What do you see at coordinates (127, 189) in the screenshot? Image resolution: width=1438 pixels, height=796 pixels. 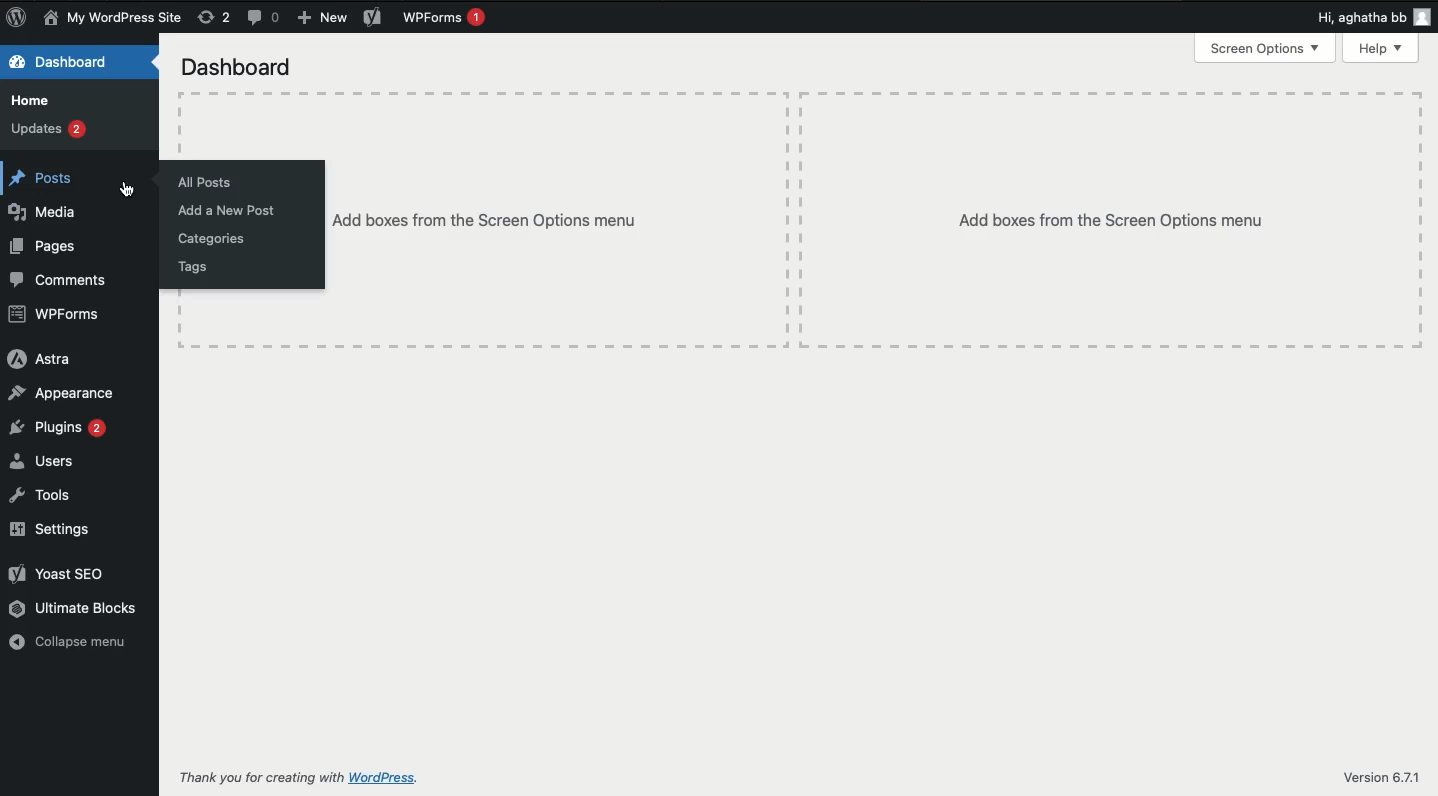 I see `cursor` at bounding box center [127, 189].